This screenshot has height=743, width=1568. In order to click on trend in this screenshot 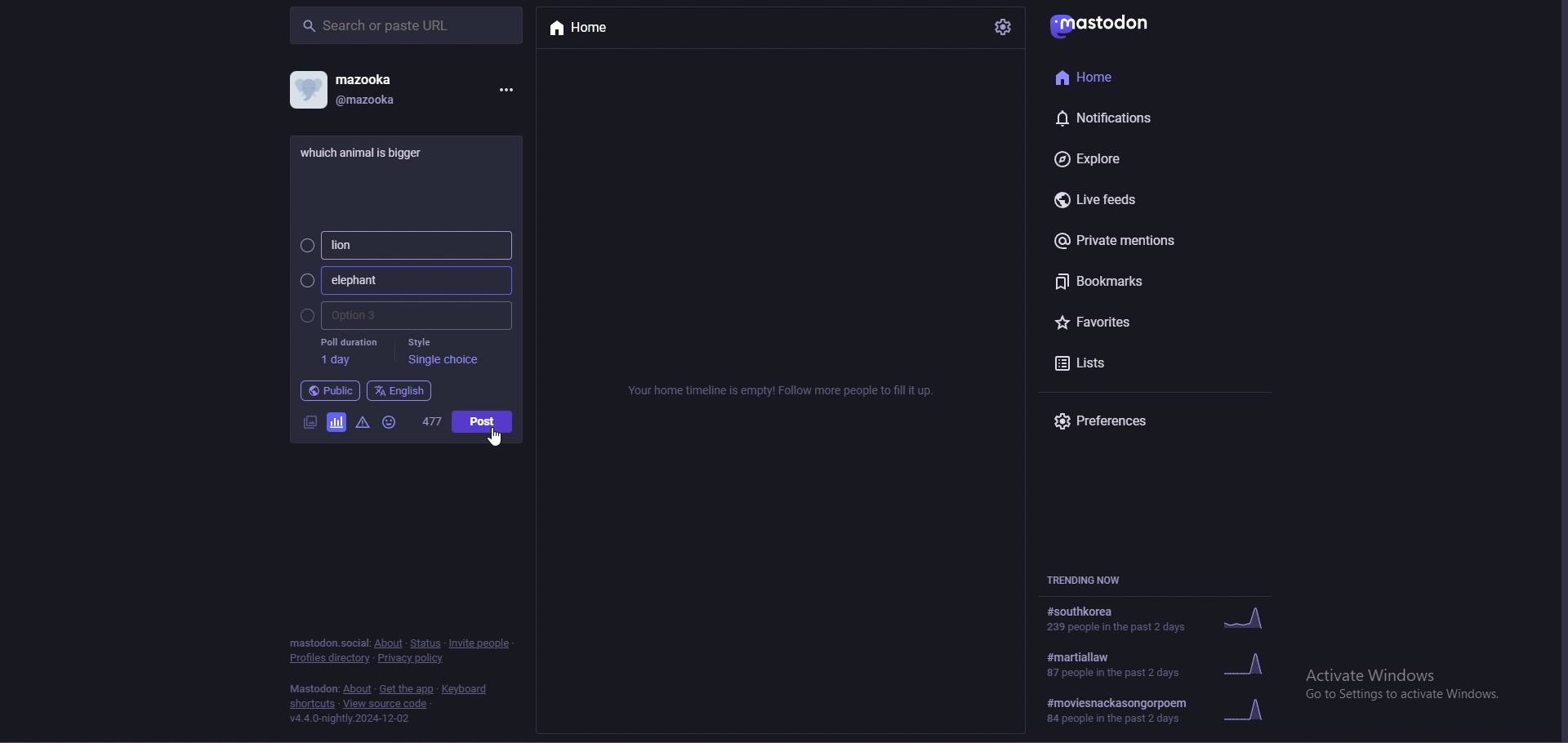, I will do `click(1166, 665)`.